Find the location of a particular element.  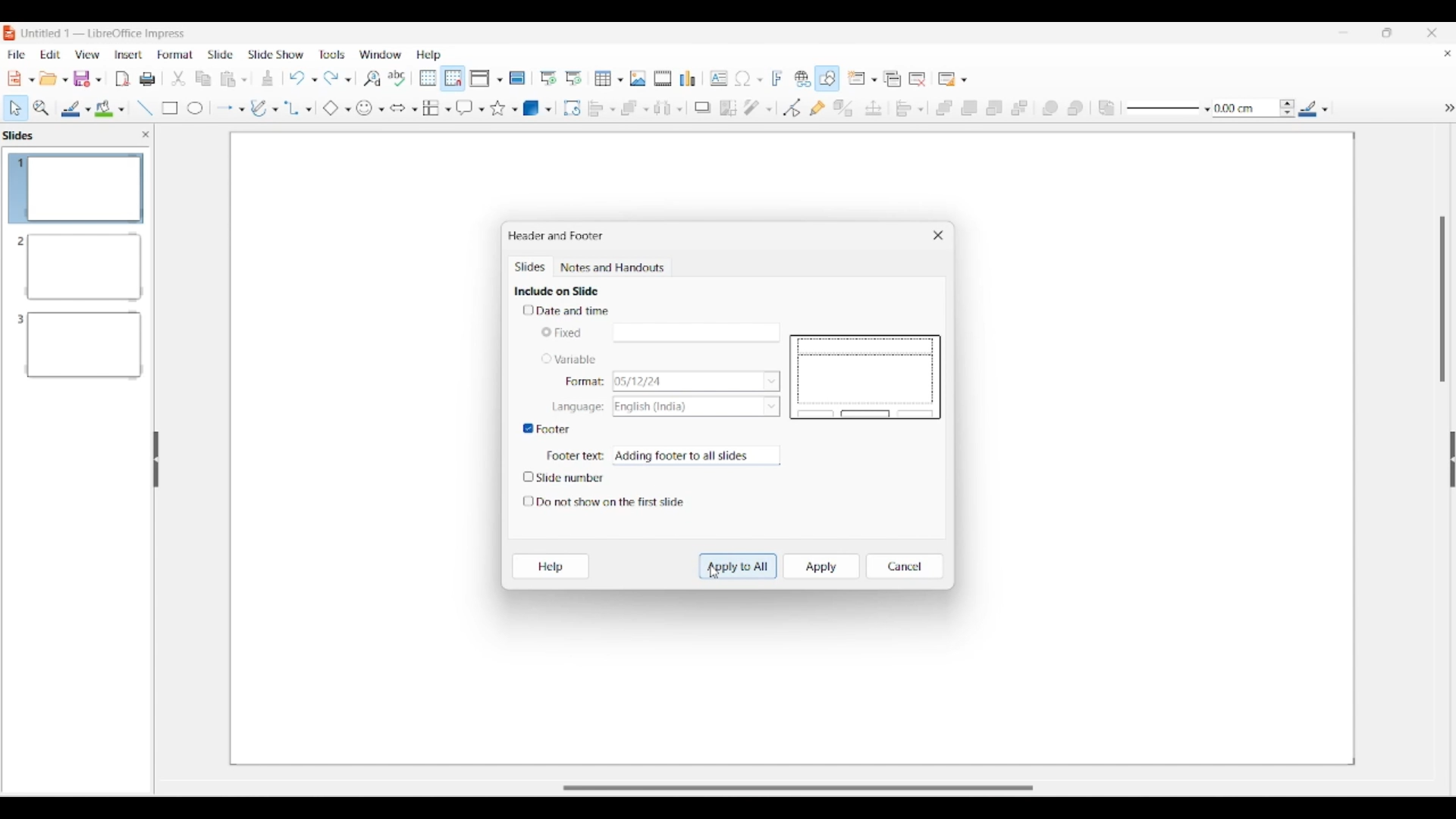

Input line thickness is located at coordinates (1245, 108).